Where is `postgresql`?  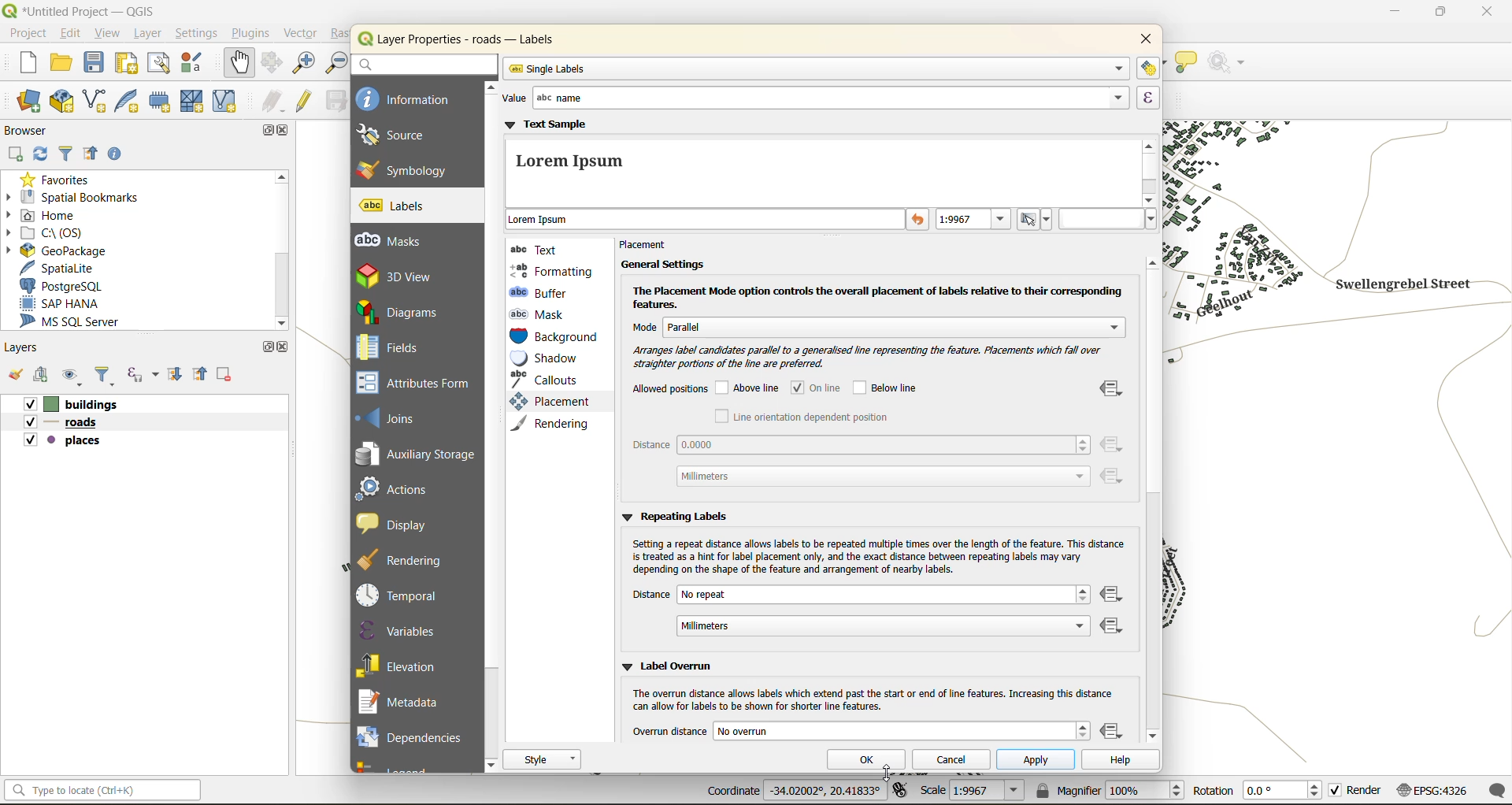 postgresql is located at coordinates (69, 284).